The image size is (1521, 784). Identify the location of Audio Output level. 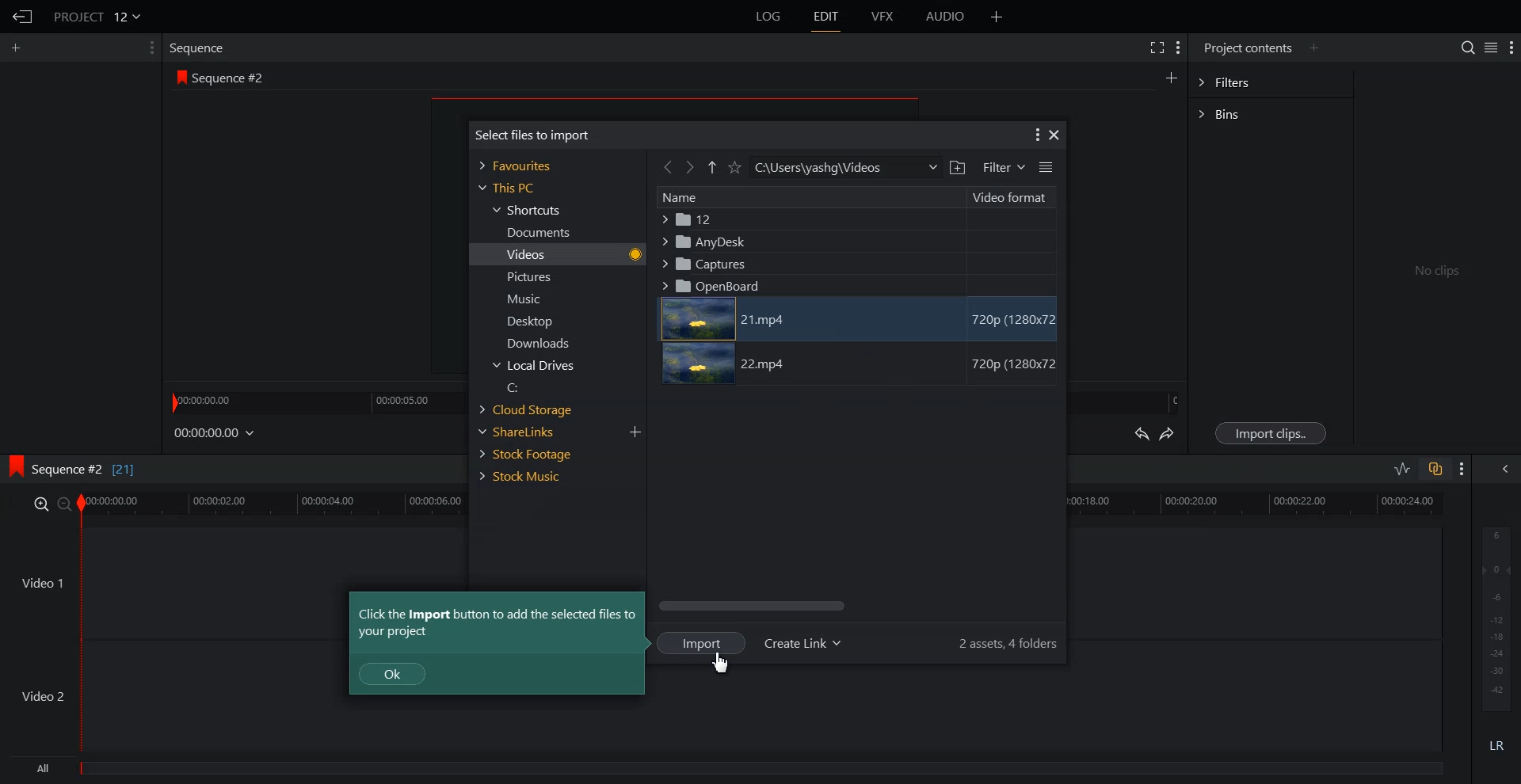
(1494, 618).